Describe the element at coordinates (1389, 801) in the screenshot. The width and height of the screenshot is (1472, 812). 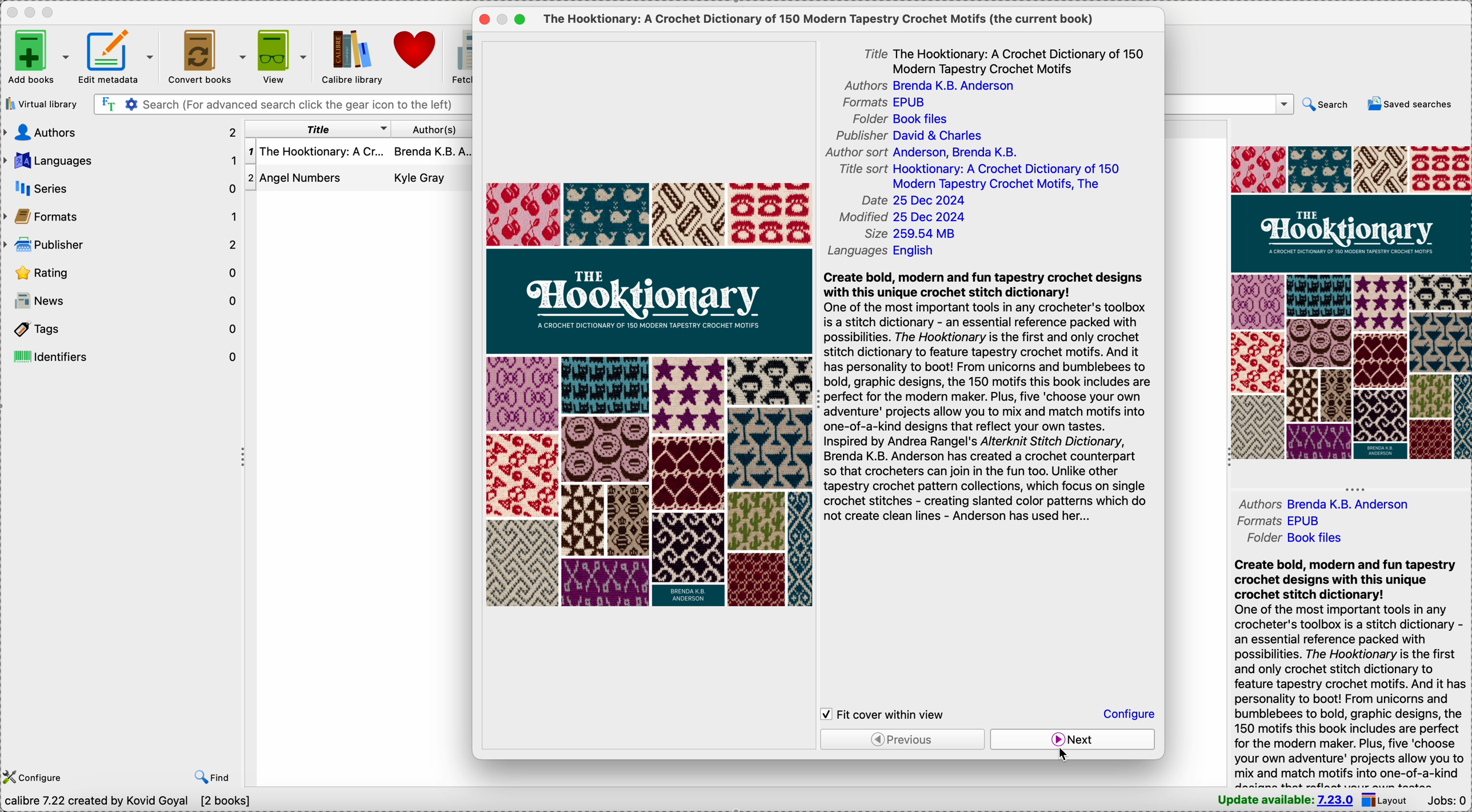
I see `layout` at that location.